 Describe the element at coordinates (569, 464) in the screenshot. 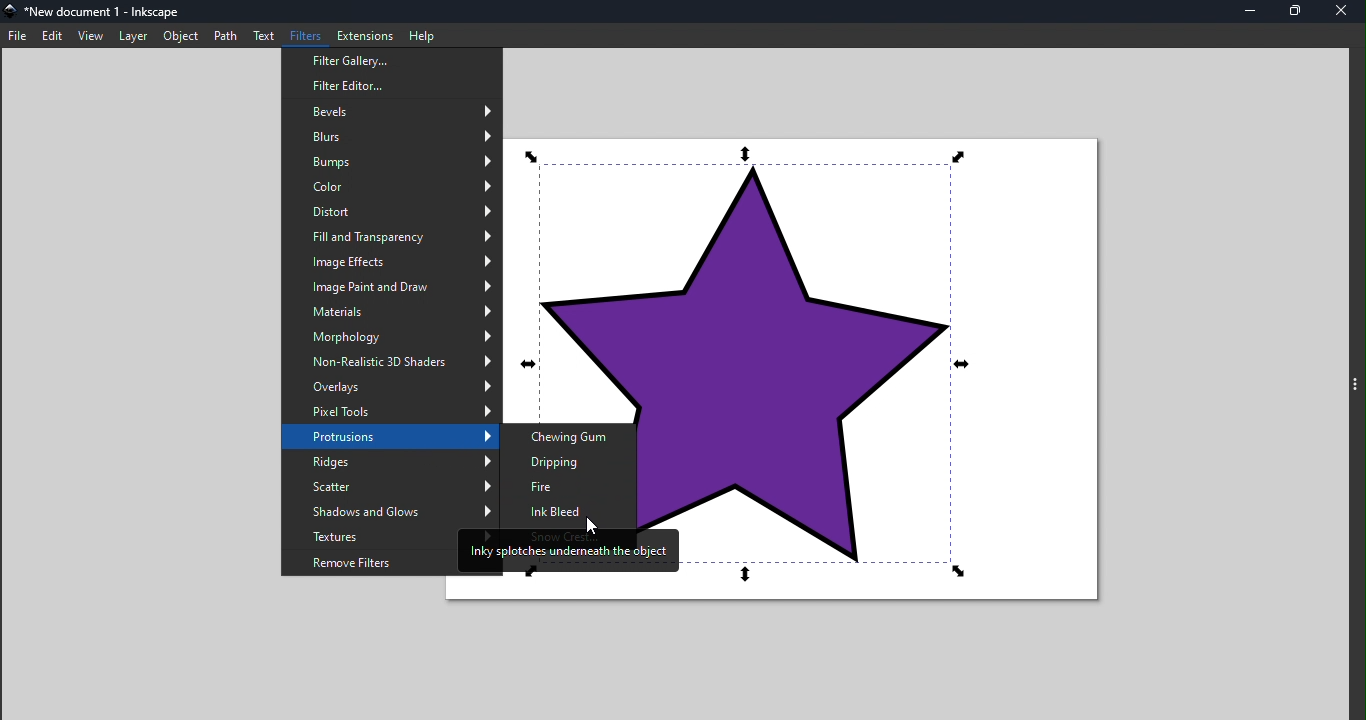

I see `Dripping ` at that location.